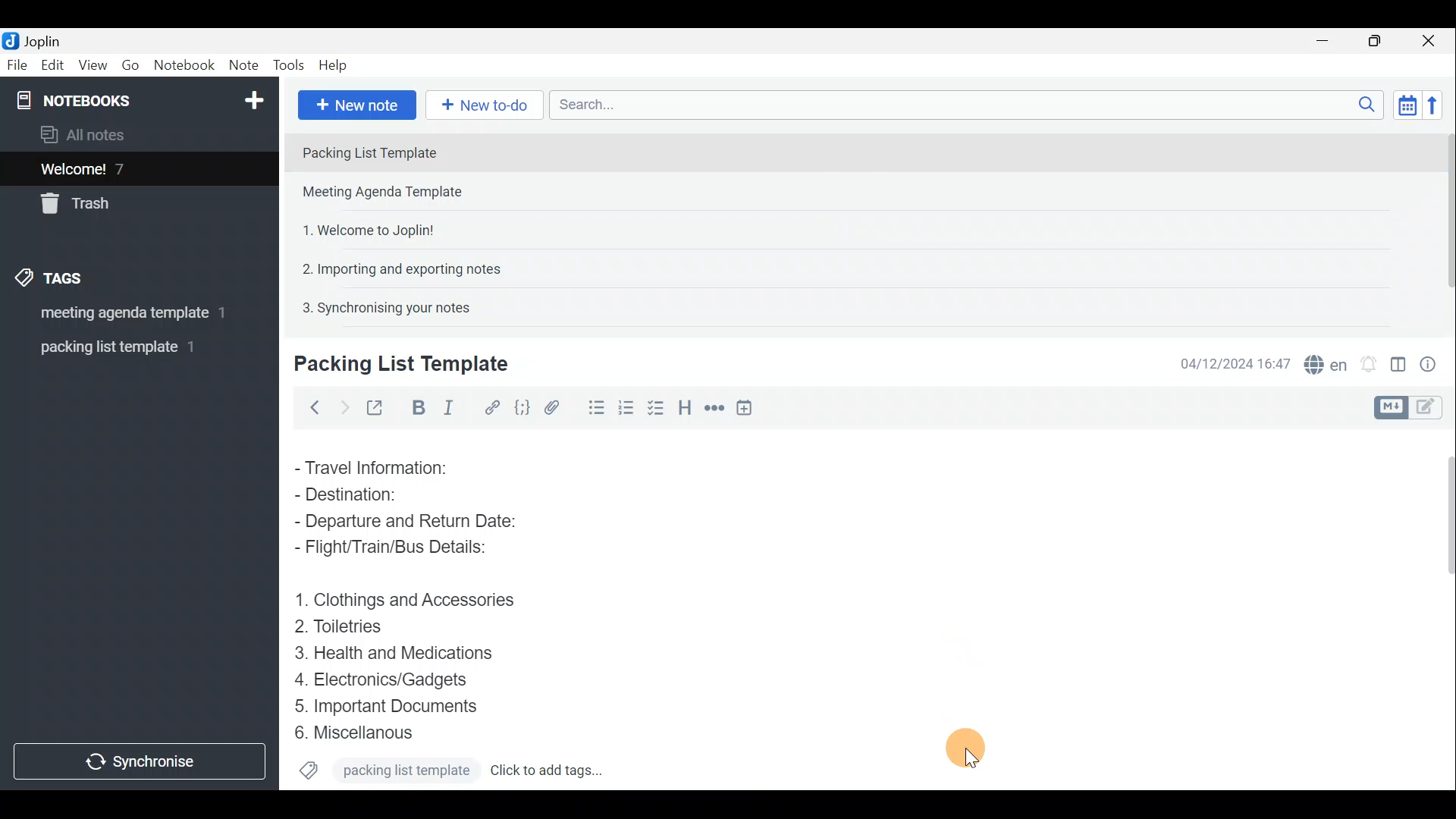 The width and height of the screenshot is (1456, 819). Describe the element at coordinates (712, 408) in the screenshot. I see `Horizontal rule` at that location.